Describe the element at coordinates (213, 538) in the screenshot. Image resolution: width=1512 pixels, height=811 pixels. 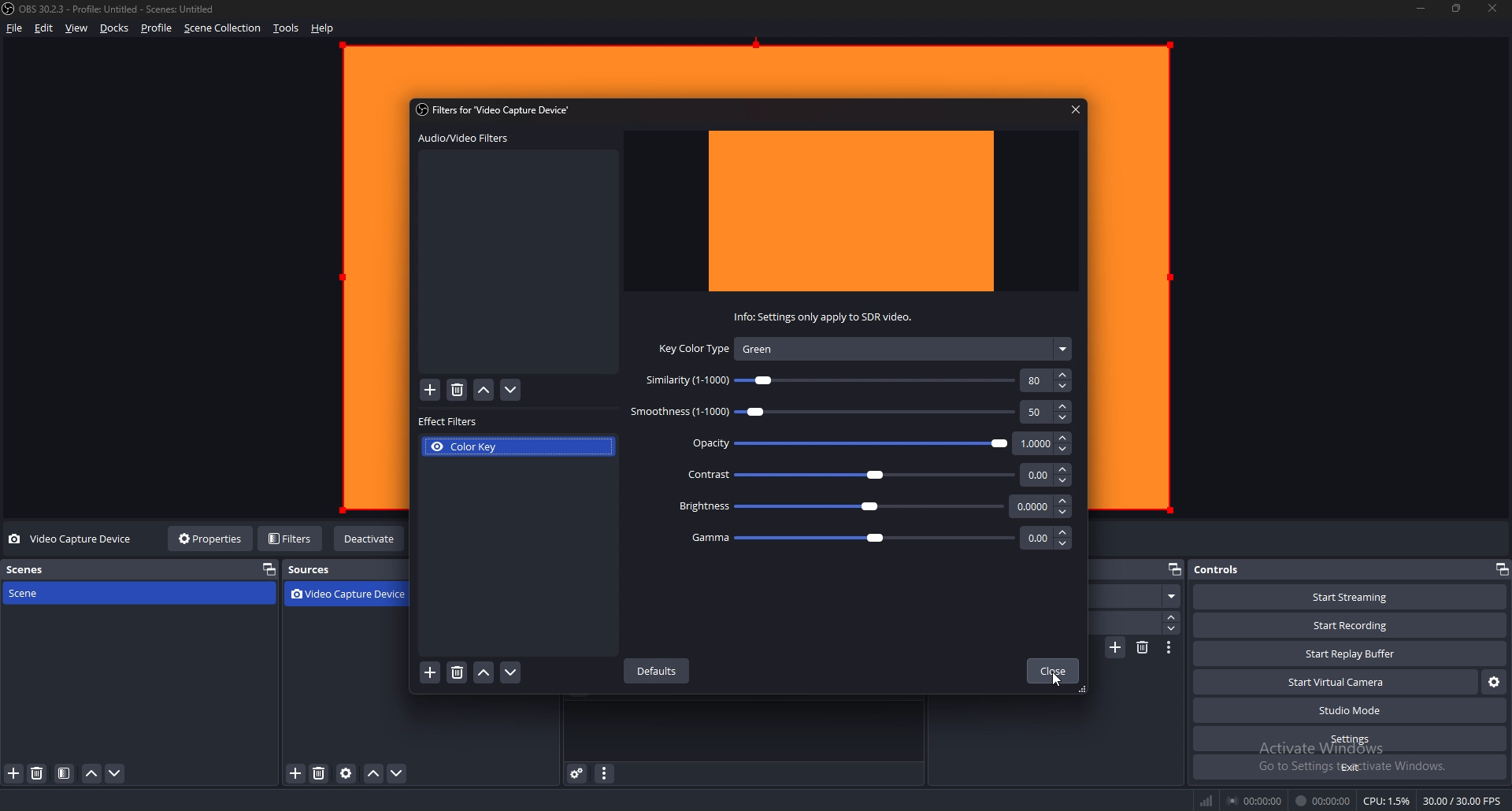
I see `properties` at that location.